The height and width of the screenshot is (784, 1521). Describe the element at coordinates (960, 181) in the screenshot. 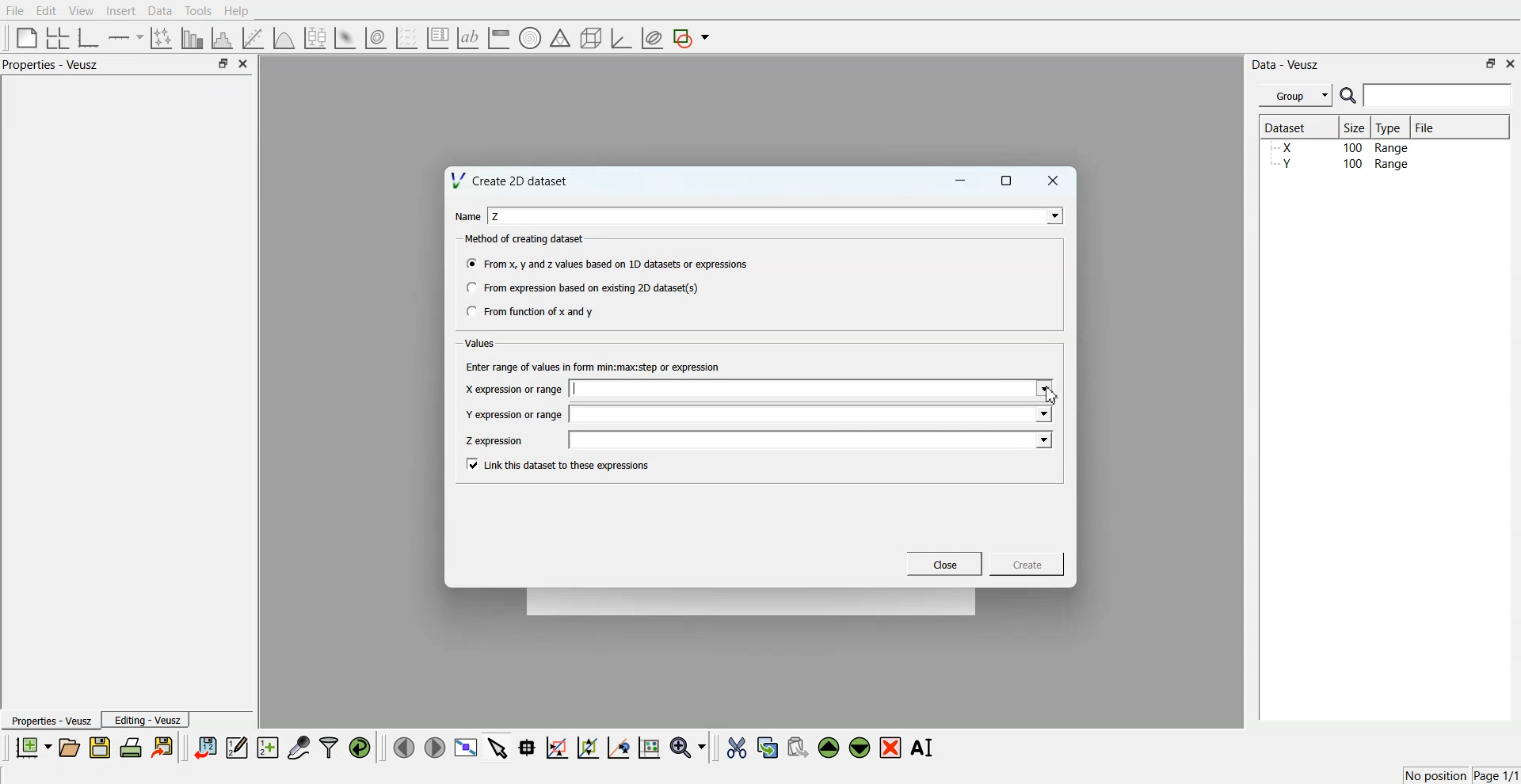

I see `Minimize` at that location.